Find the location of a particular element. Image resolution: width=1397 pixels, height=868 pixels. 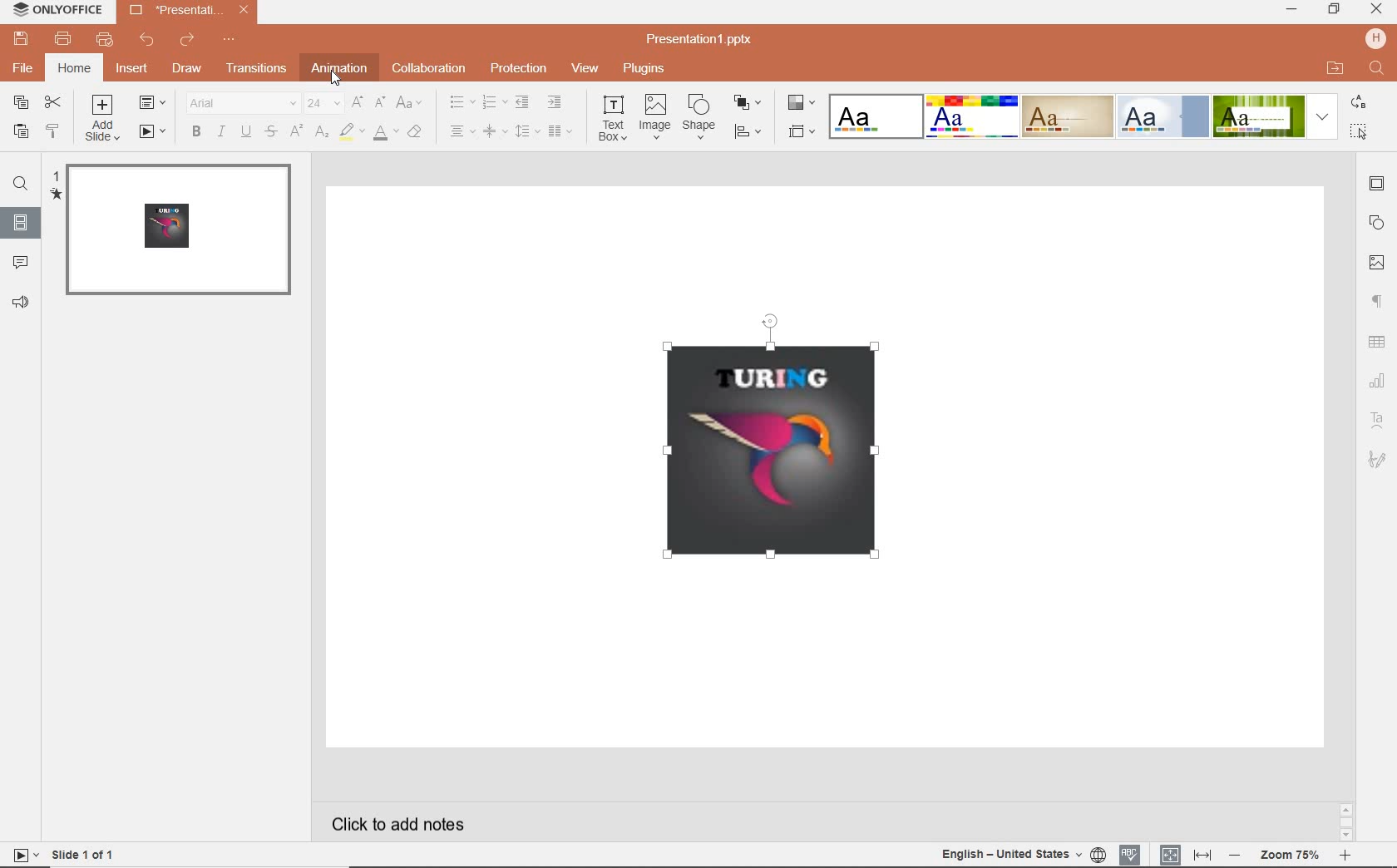

bullets is located at coordinates (460, 102).